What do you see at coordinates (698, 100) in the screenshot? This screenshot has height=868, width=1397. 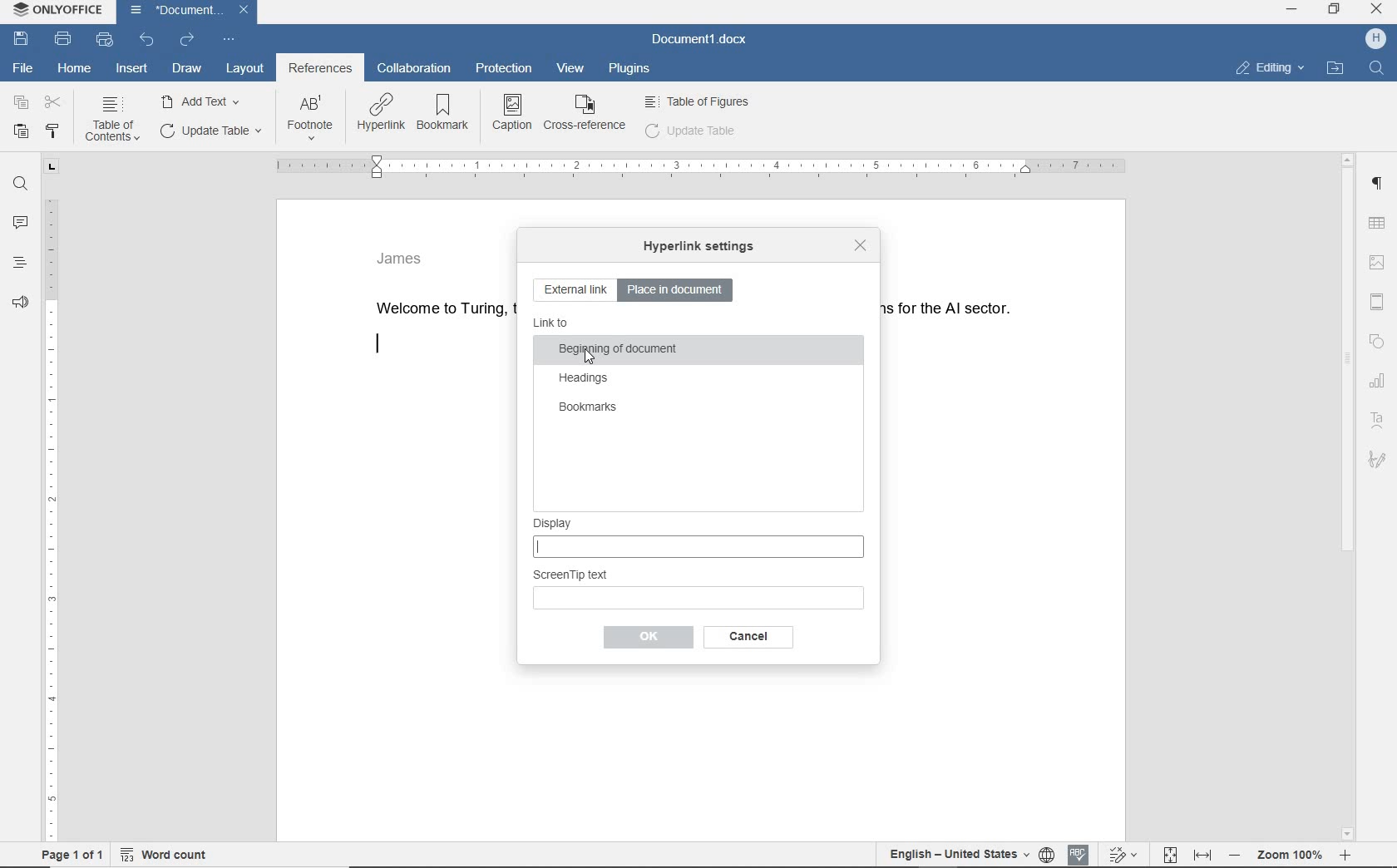 I see `Table of figures` at bounding box center [698, 100].